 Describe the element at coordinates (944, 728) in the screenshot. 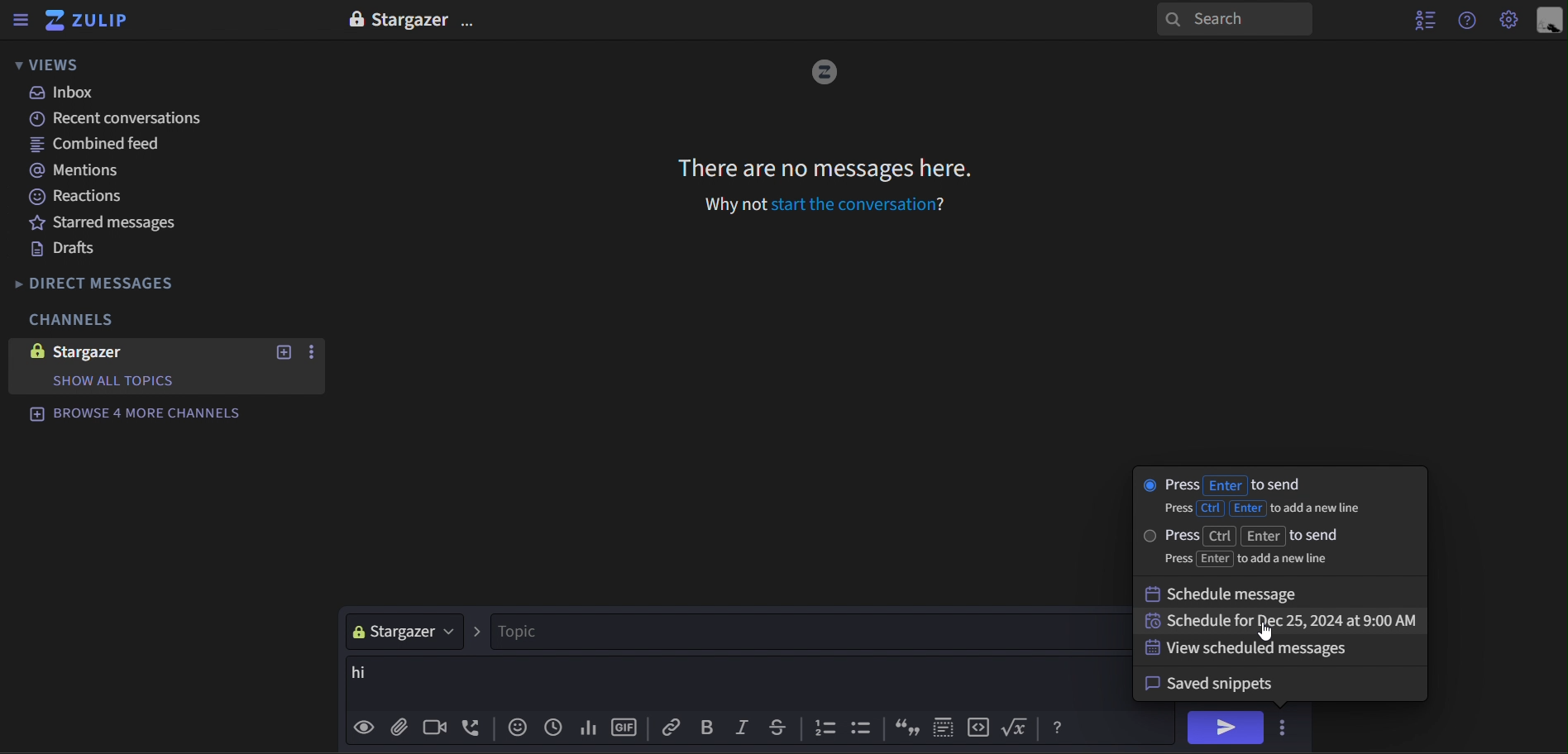

I see `selection` at that location.